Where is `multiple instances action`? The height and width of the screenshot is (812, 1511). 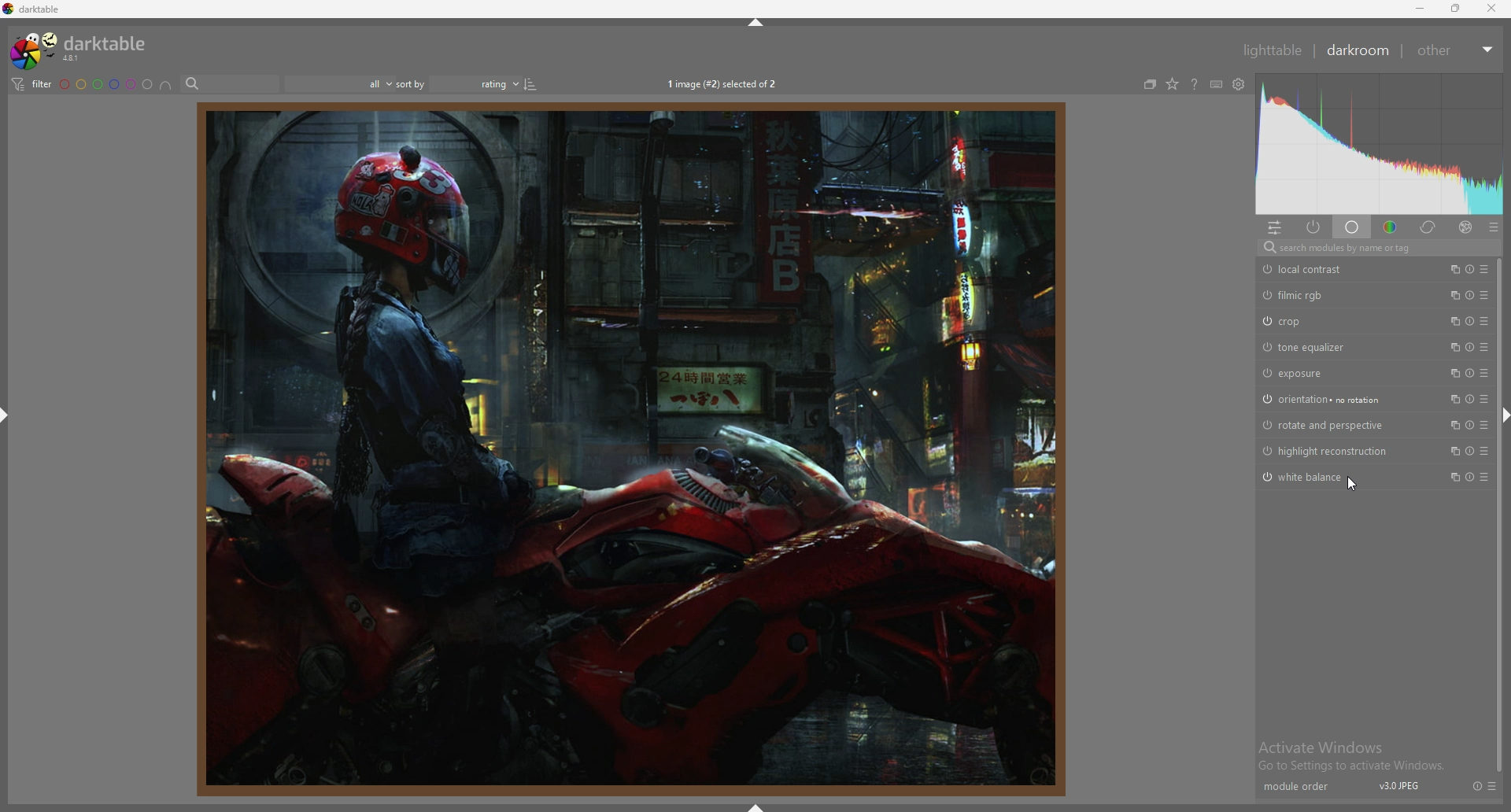
multiple instances action is located at coordinates (1452, 347).